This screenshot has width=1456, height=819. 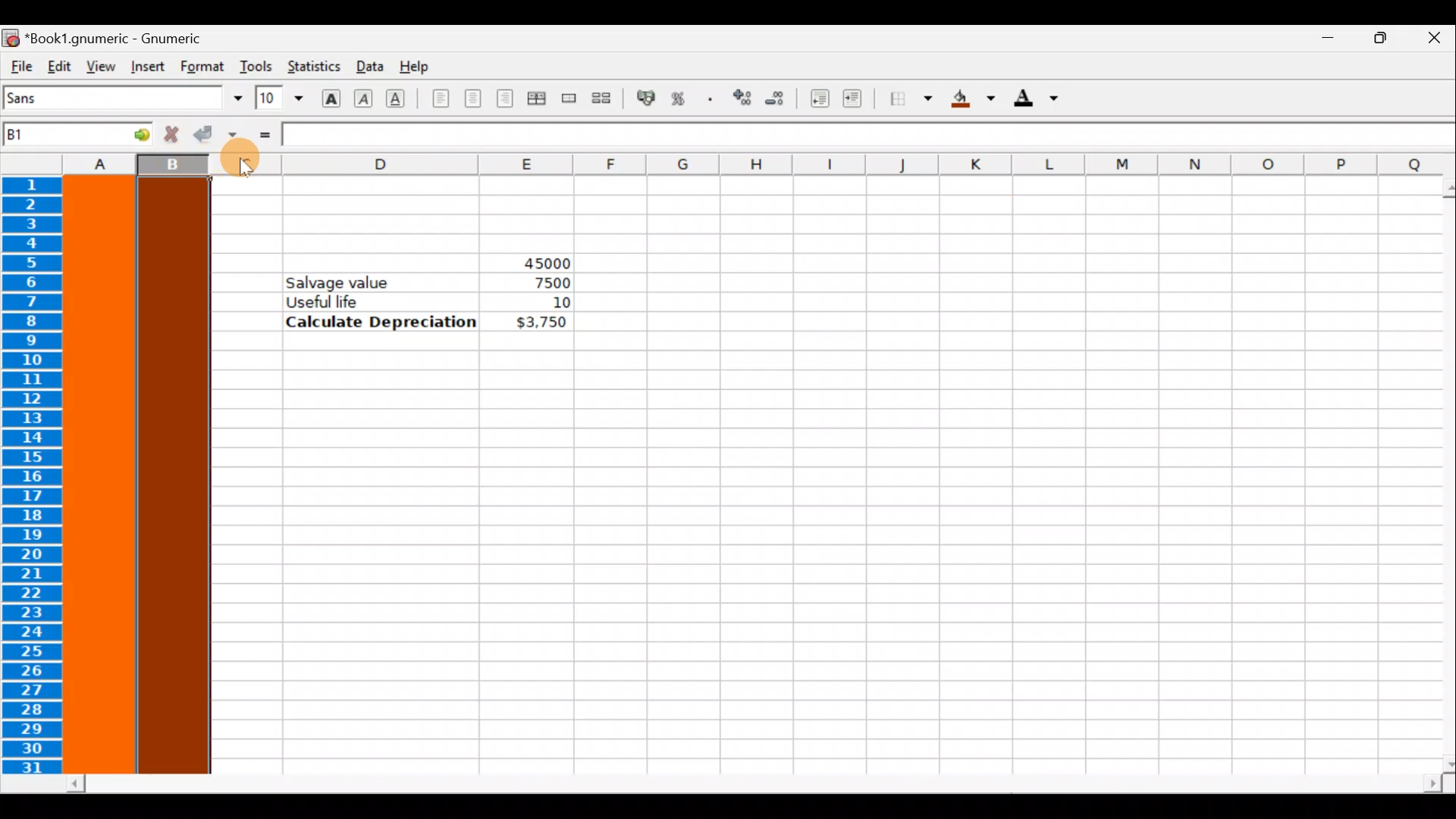 I want to click on Centre horizontally across selection, so click(x=536, y=101).